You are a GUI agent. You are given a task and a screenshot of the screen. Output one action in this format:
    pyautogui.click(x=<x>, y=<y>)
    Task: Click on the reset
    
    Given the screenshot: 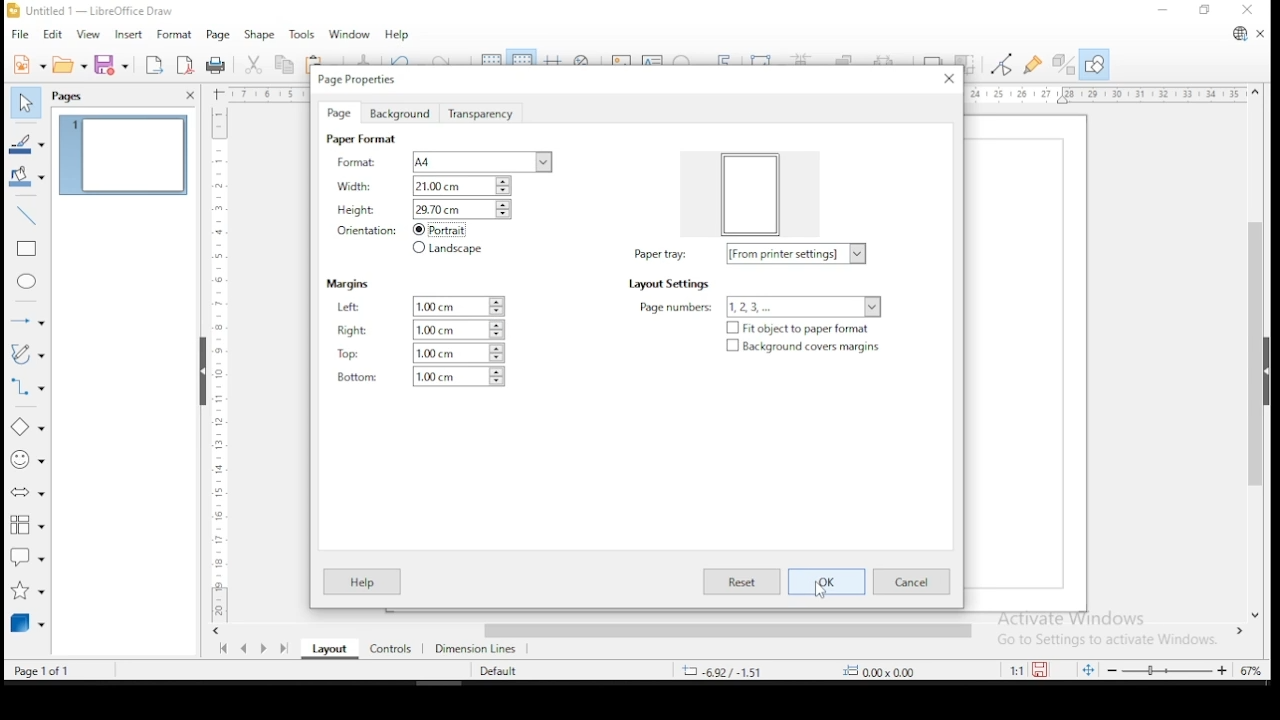 What is the action you would take?
    pyautogui.click(x=744, y=582)
    